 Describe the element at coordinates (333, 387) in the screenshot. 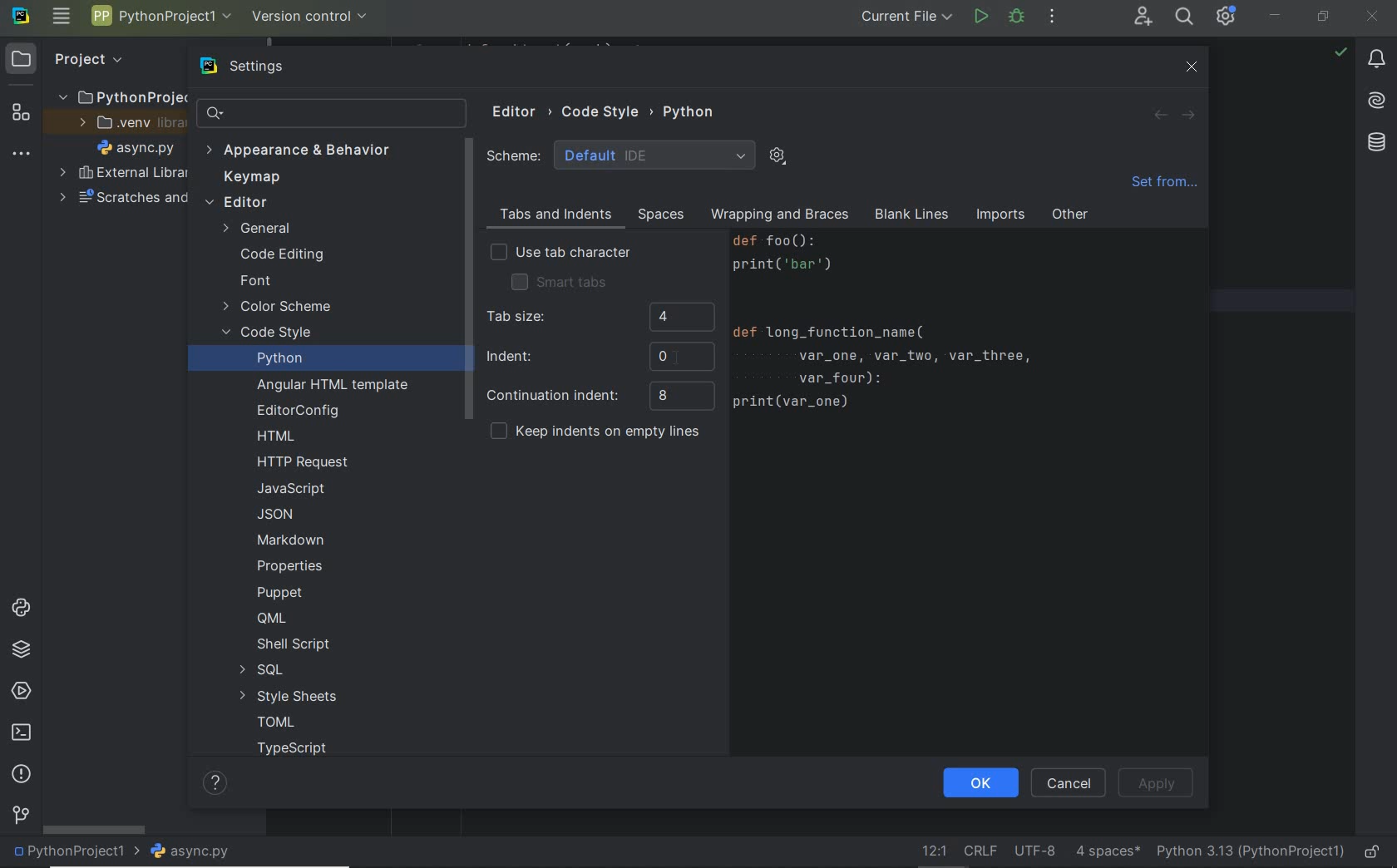

I see `Angular HTML Template` at that location.